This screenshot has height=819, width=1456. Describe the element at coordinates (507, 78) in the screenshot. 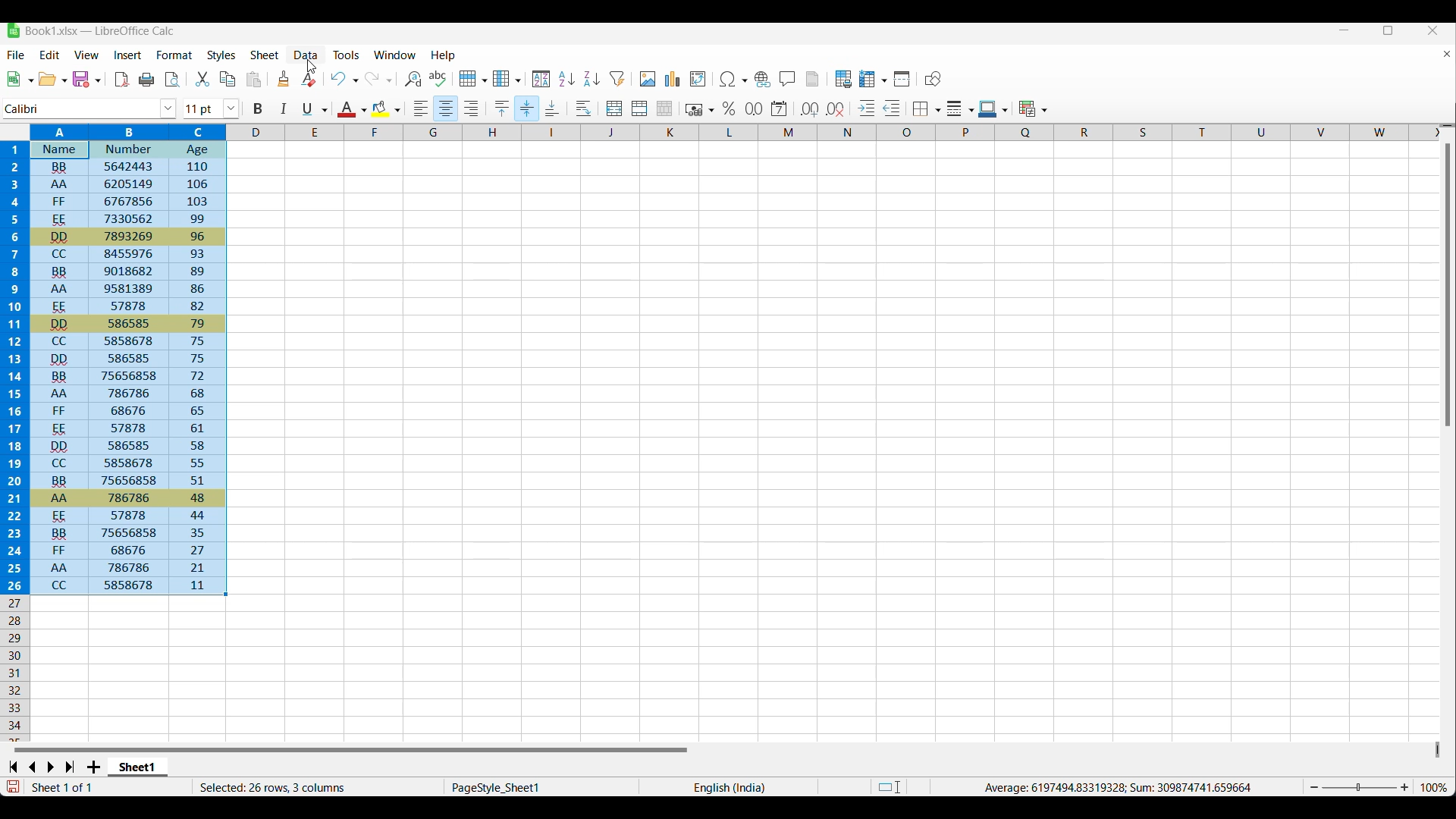

I see `Column options` at that location.